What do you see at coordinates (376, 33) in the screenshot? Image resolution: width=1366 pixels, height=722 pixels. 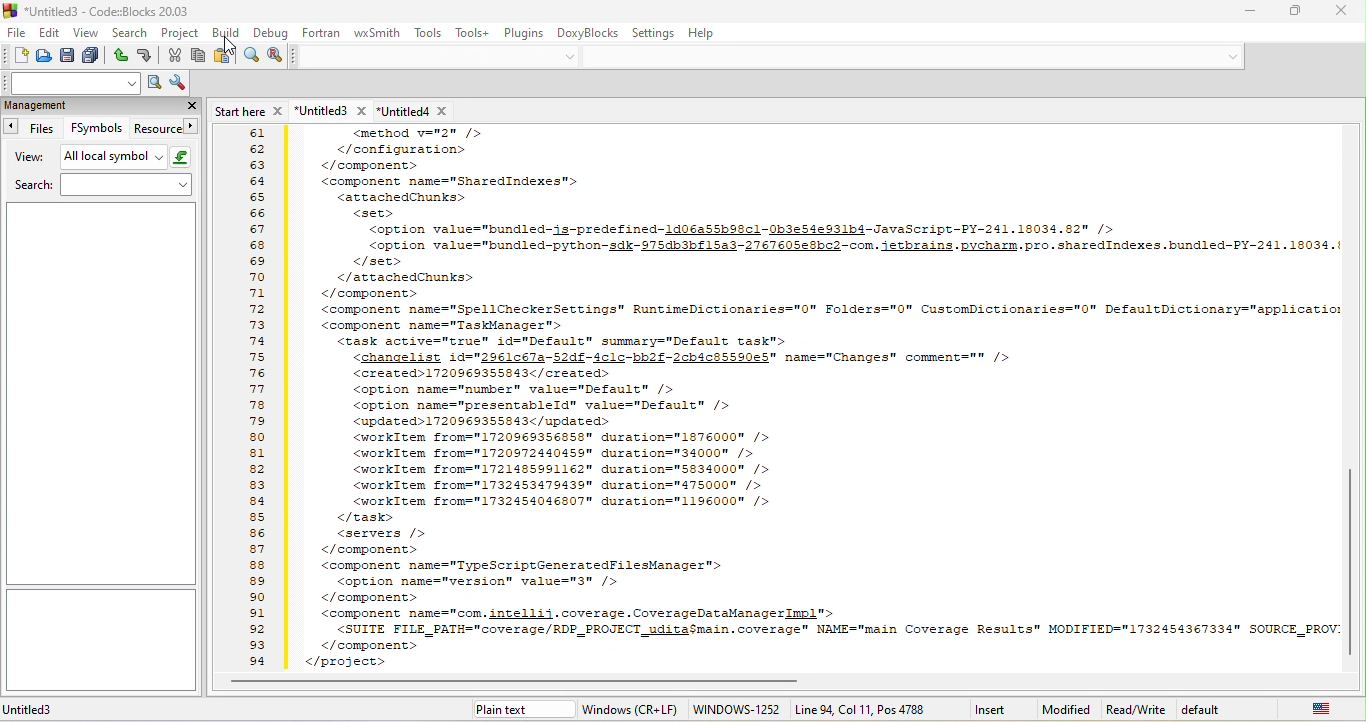 I see `wxsmith` at bounding box center [376, 33].